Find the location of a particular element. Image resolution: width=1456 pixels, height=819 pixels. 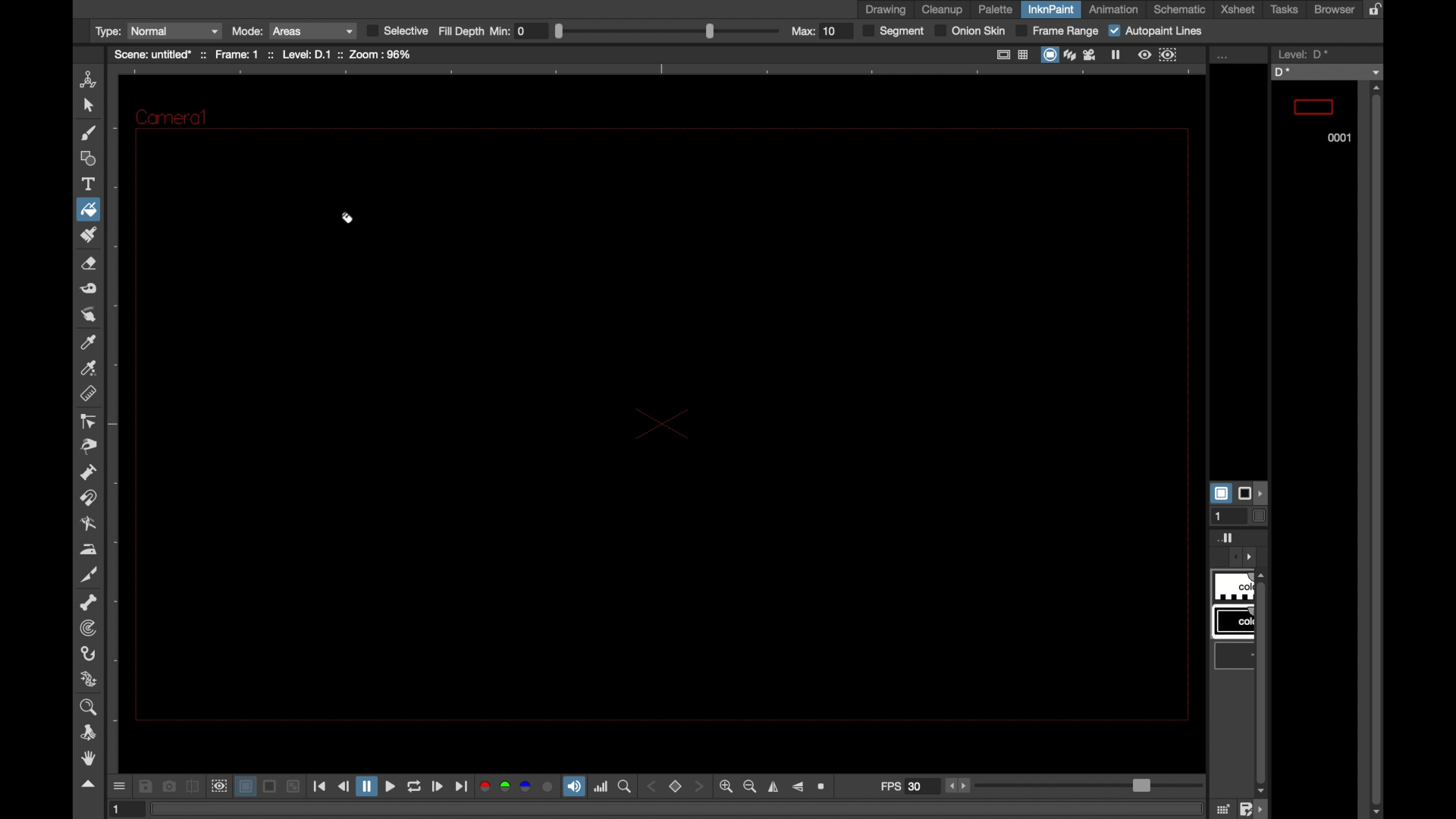

scene: untitle* :: Frame: 1 :: Level: D.1 :: Zoom: 50% is located at coordinates (261, 55).